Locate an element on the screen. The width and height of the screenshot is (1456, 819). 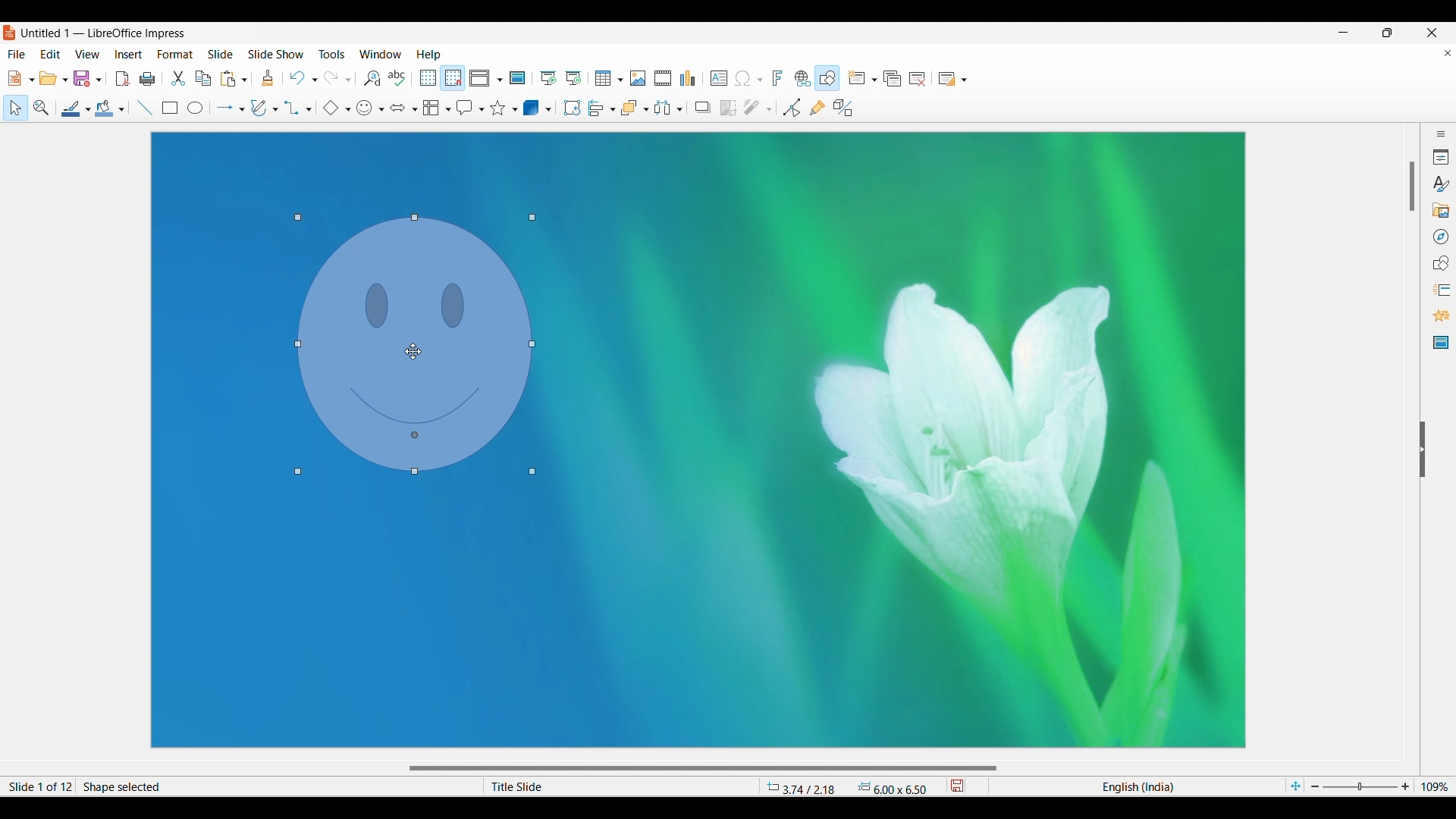
Toggle point edit mode is located at coordinates (792, 108).